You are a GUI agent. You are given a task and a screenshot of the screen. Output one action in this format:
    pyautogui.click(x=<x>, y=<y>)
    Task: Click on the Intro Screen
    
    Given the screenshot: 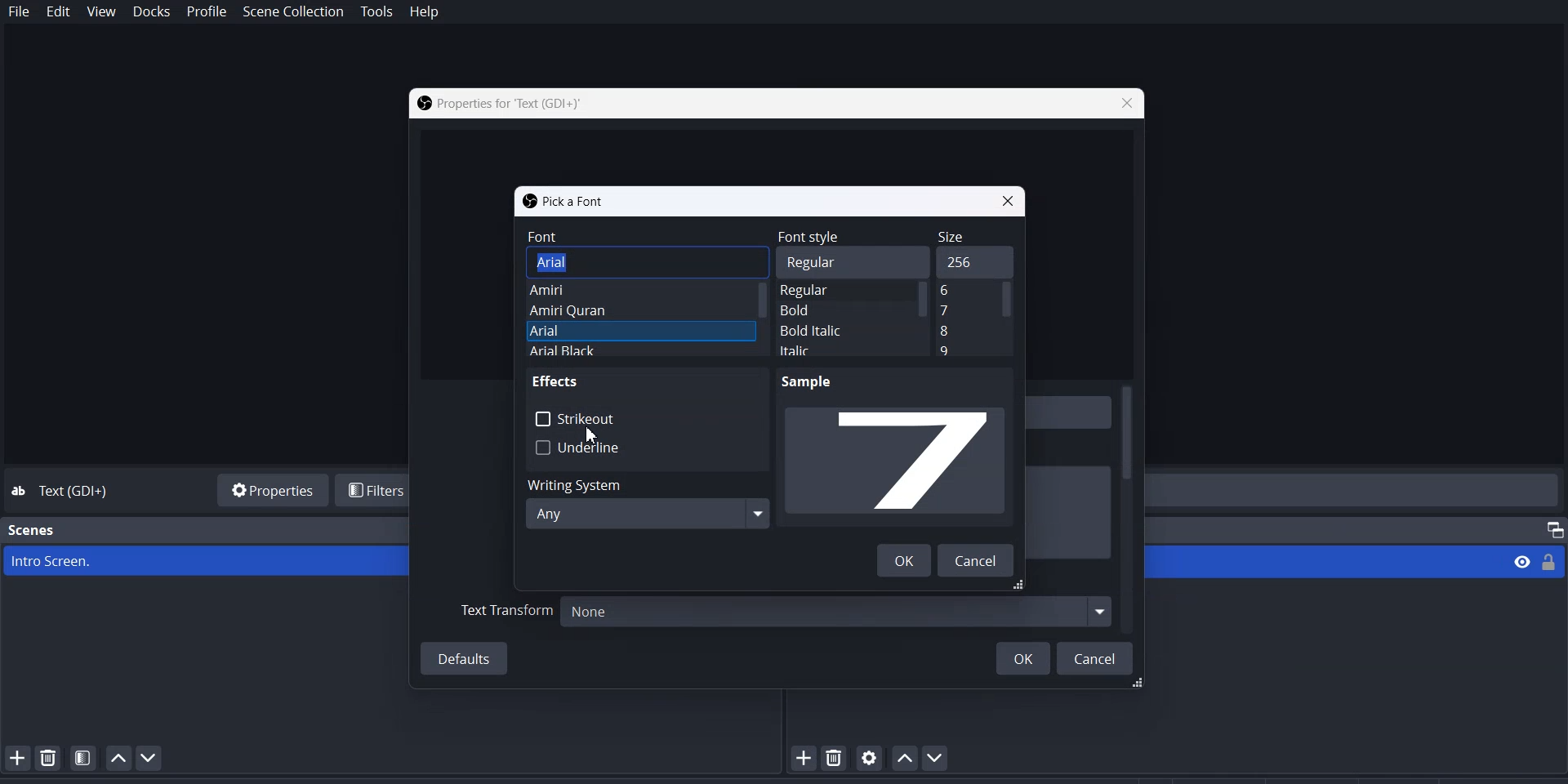 What is the action you would take?
    pyautogui.click(x=206, y=561)
    